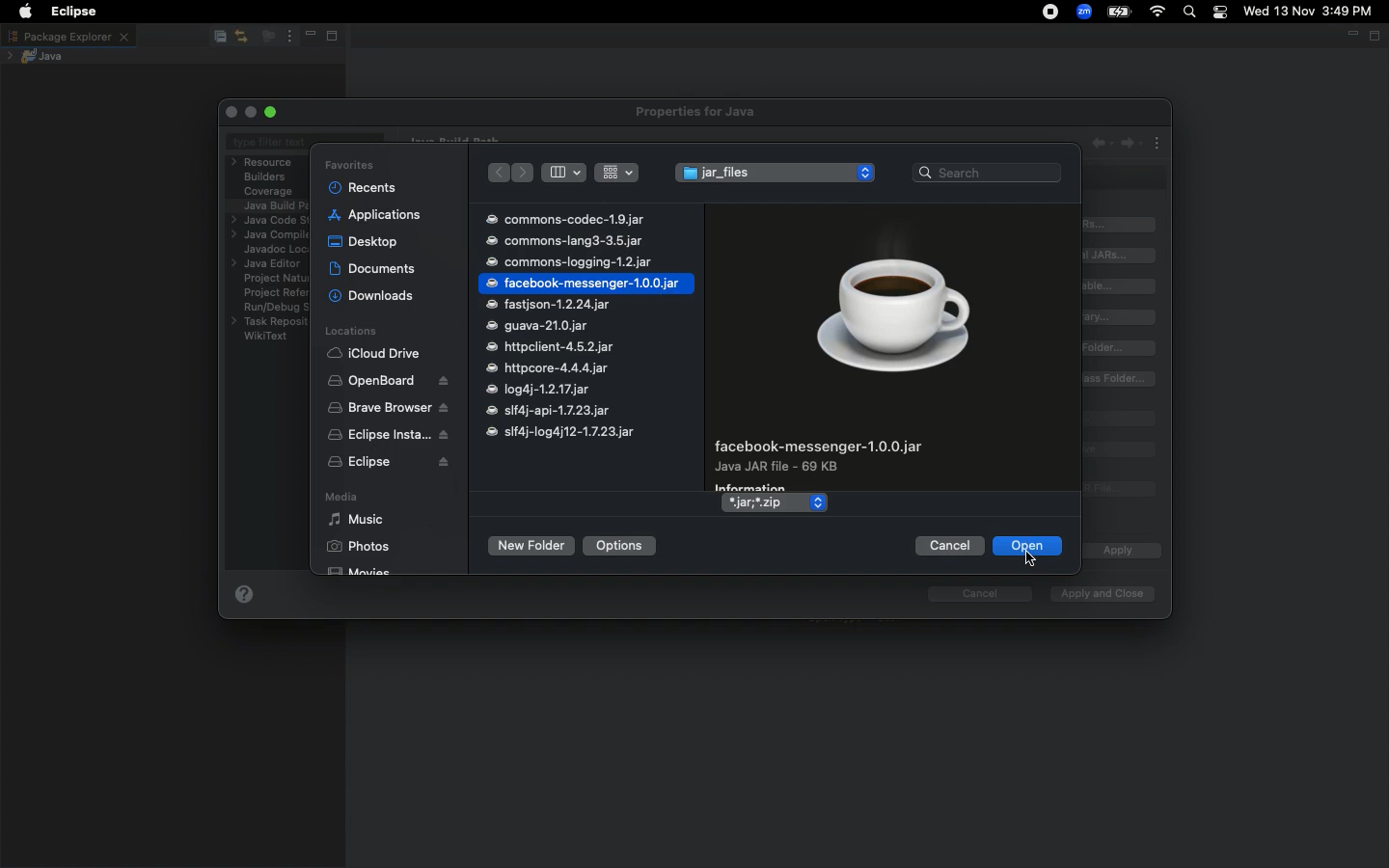 The width and height of the screenshot is (1389, 868). What do you see at coordinates (309, 37) in the screenshot?
I see `Minimize` at bounding box center [309, 37].